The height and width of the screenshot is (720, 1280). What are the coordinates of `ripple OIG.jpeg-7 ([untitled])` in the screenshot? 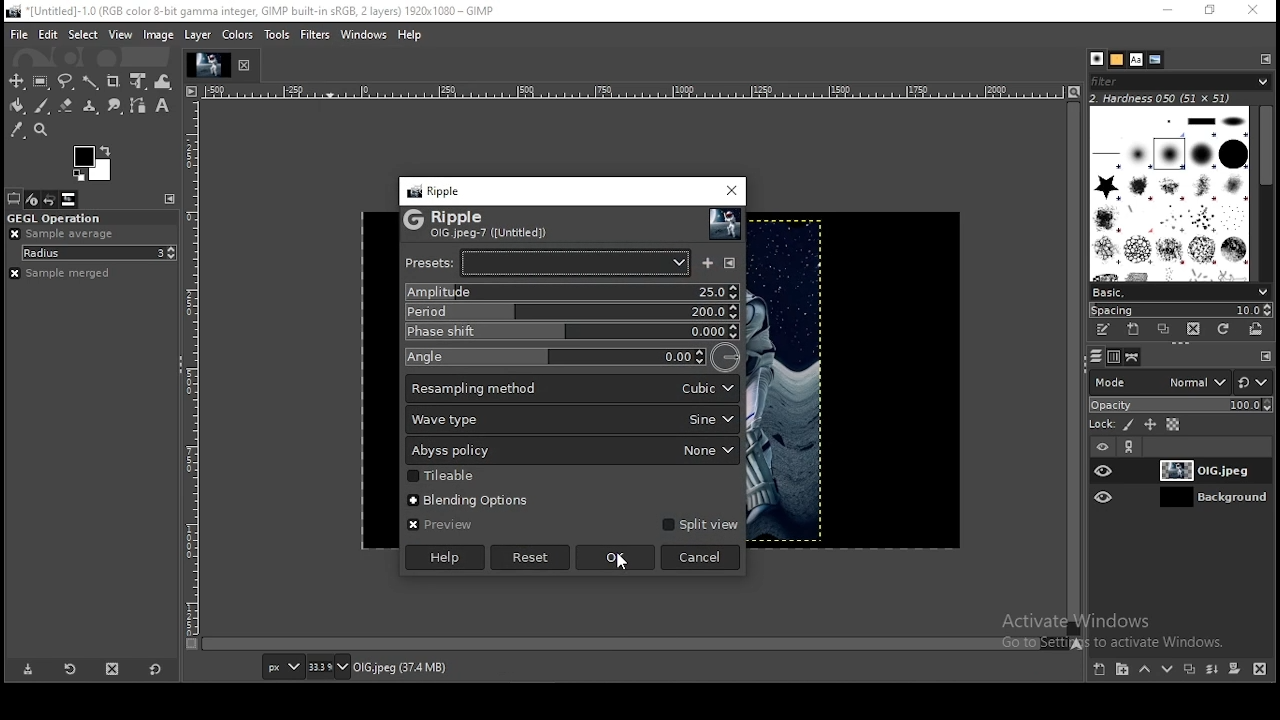 It's located at (478, 224).